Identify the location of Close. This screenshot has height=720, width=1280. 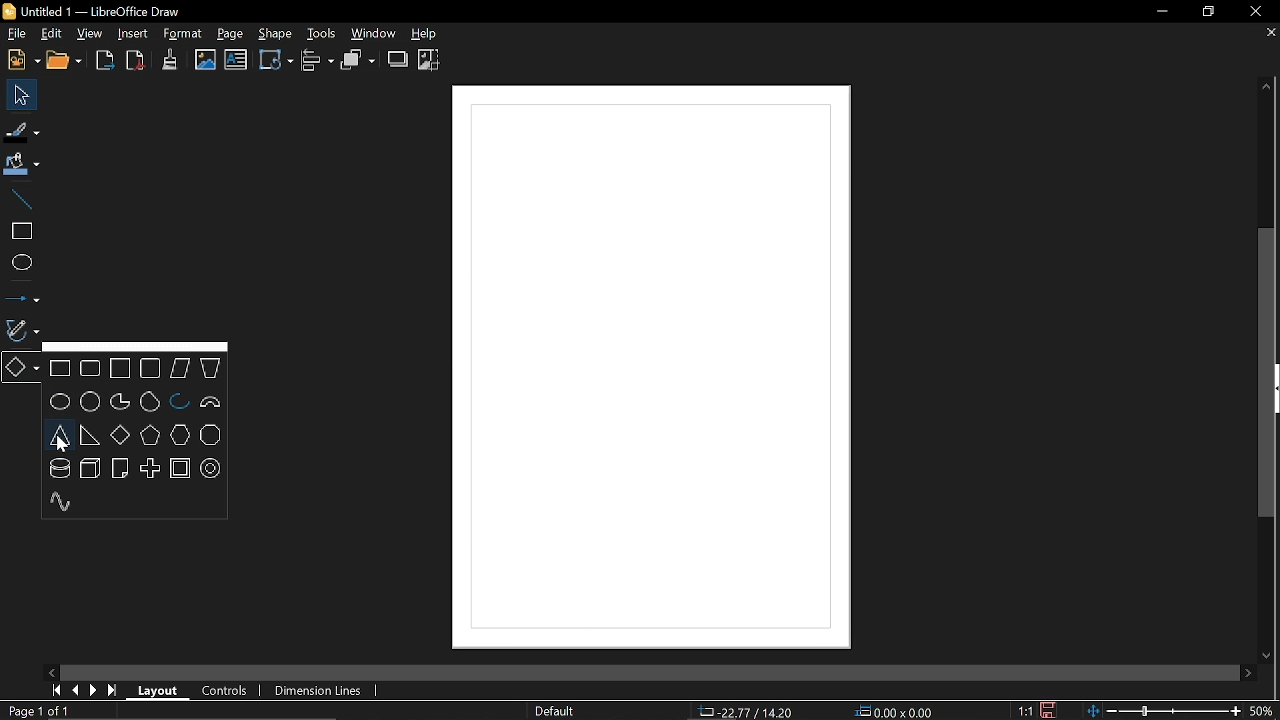
(1254, 13).